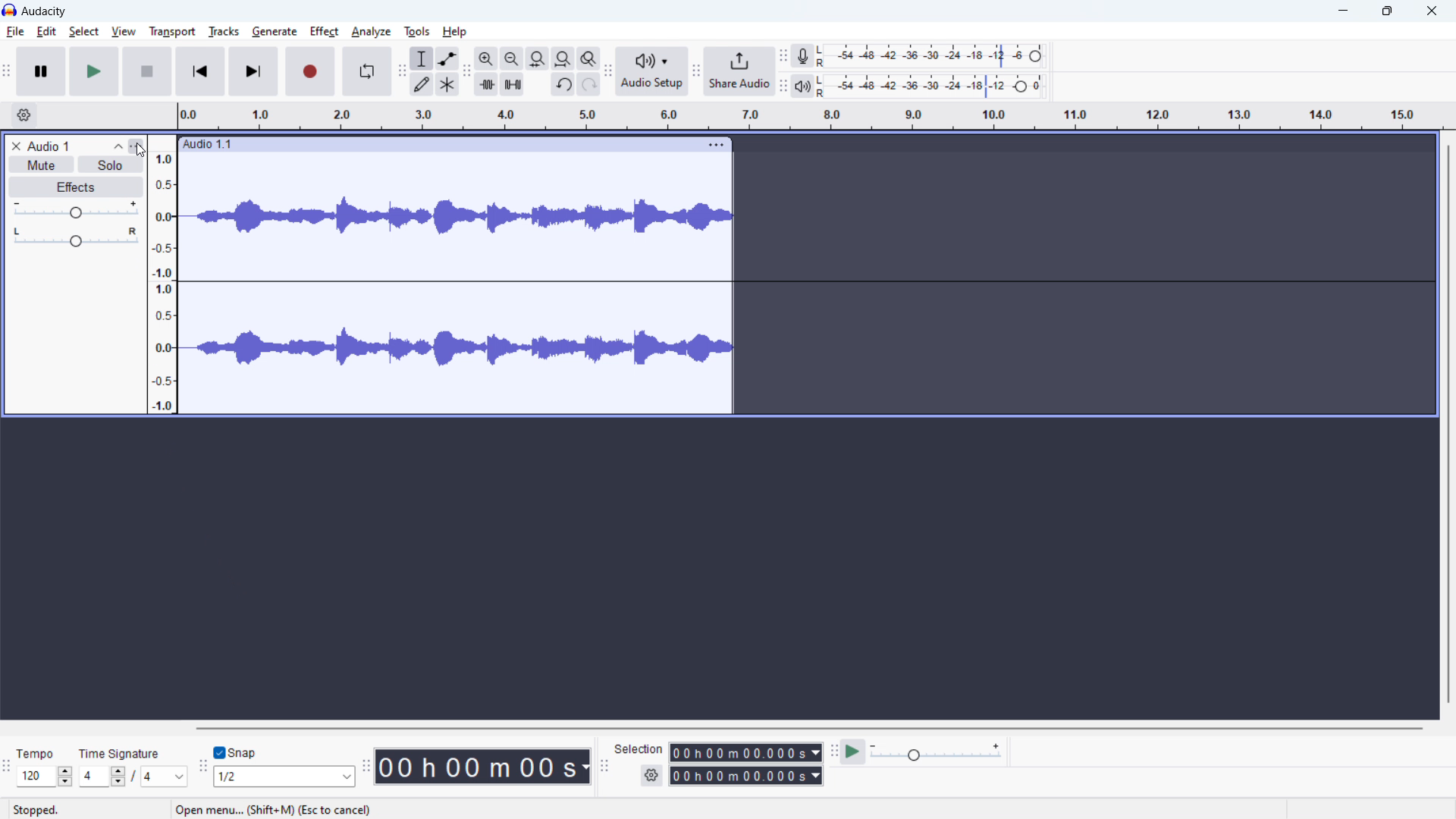 This screenshot has height=819, width=1456. Describe the element at coordinates (121, 752) in the screenshot. I see `time signature` at that location.